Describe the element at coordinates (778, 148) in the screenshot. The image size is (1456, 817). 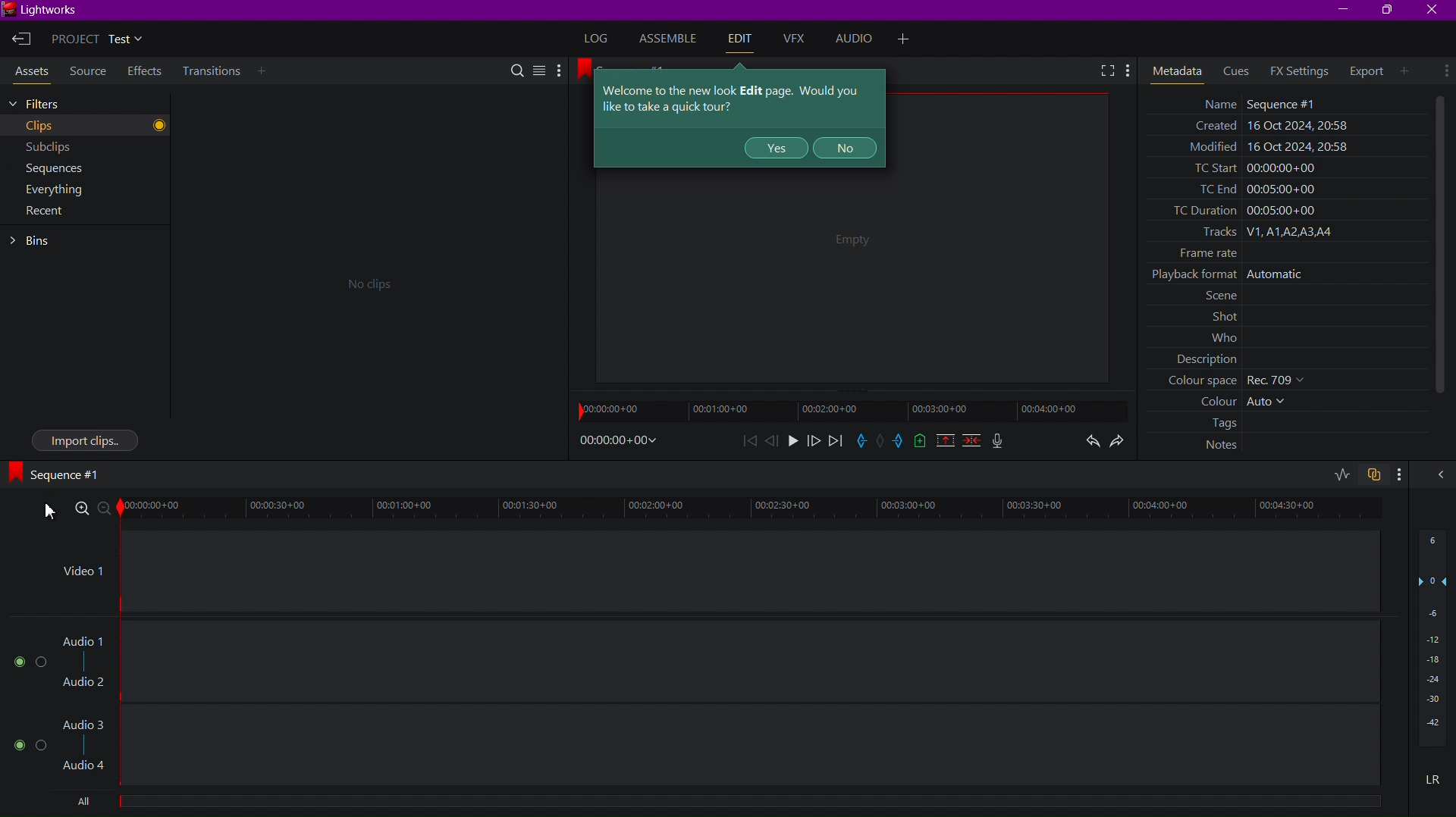
I see `YES` at that location.